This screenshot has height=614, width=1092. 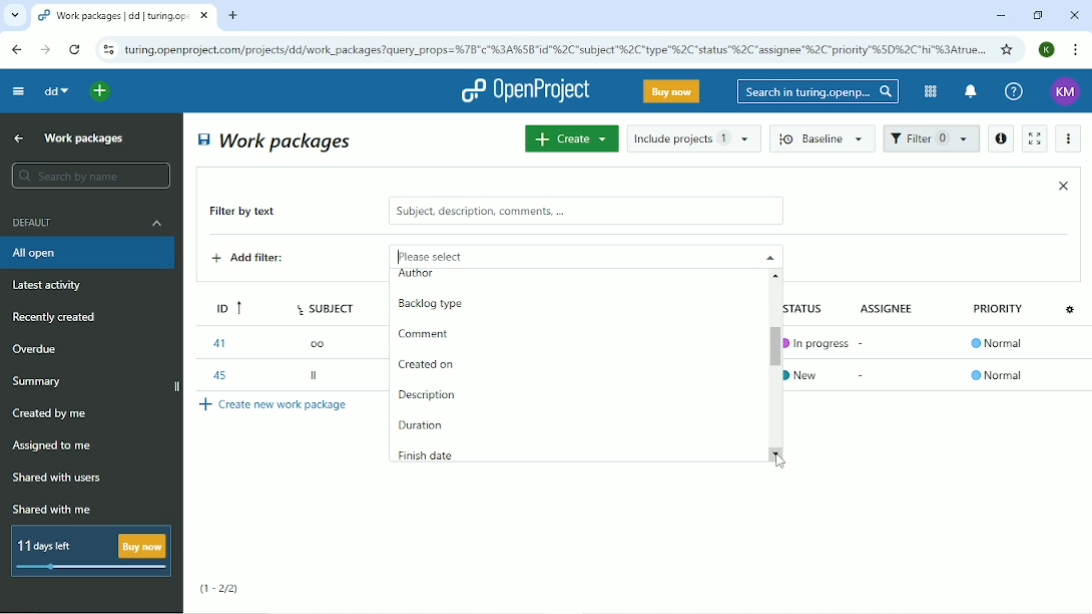 What do you see at coordinates (1000, 139) in the screenshot?
I see `Open details view` at bounding box center [1000, 139].